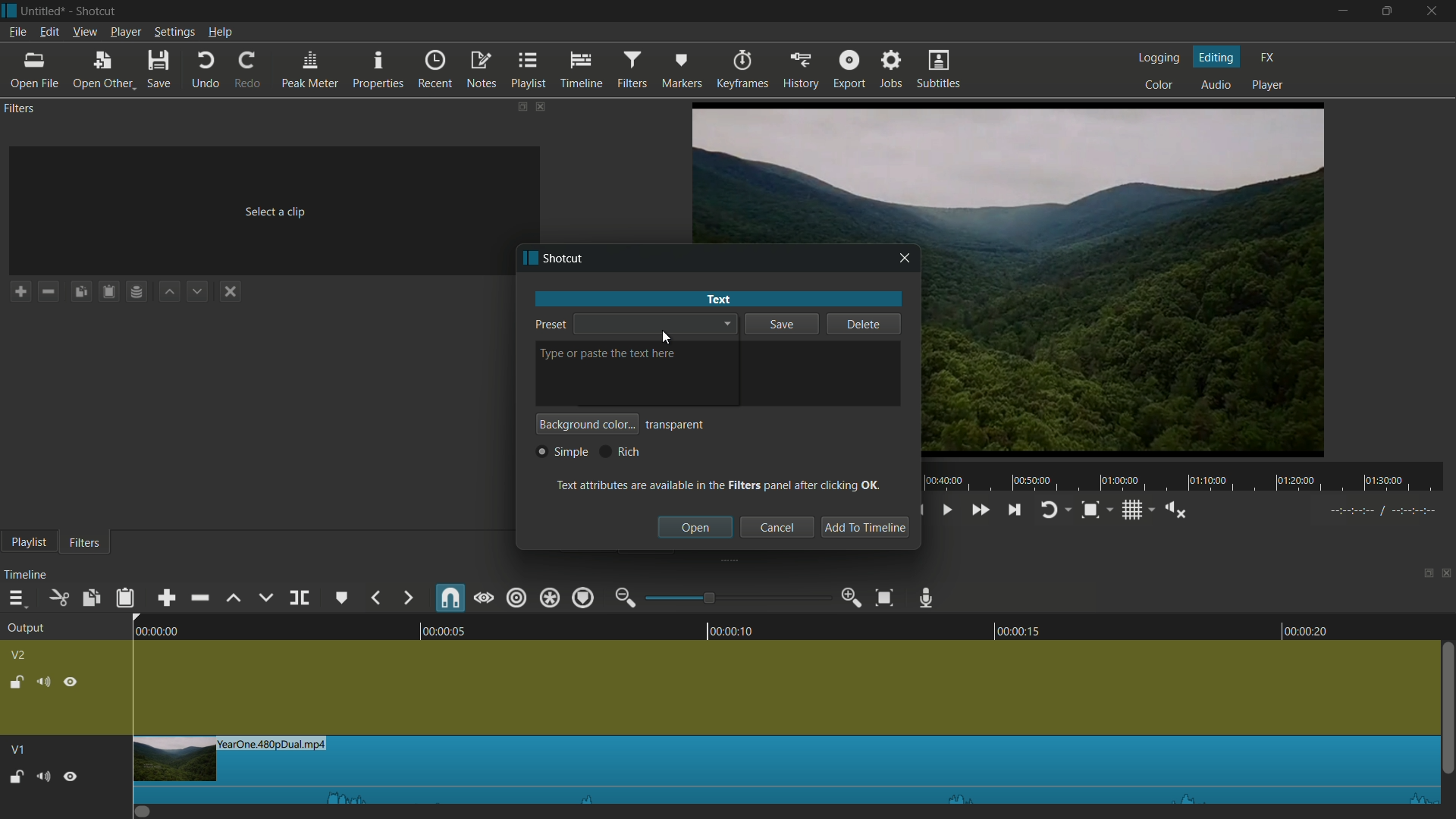  Describe the element at coordinates (739, 598) in the screenshot. I see `adjustment bar` at that location.